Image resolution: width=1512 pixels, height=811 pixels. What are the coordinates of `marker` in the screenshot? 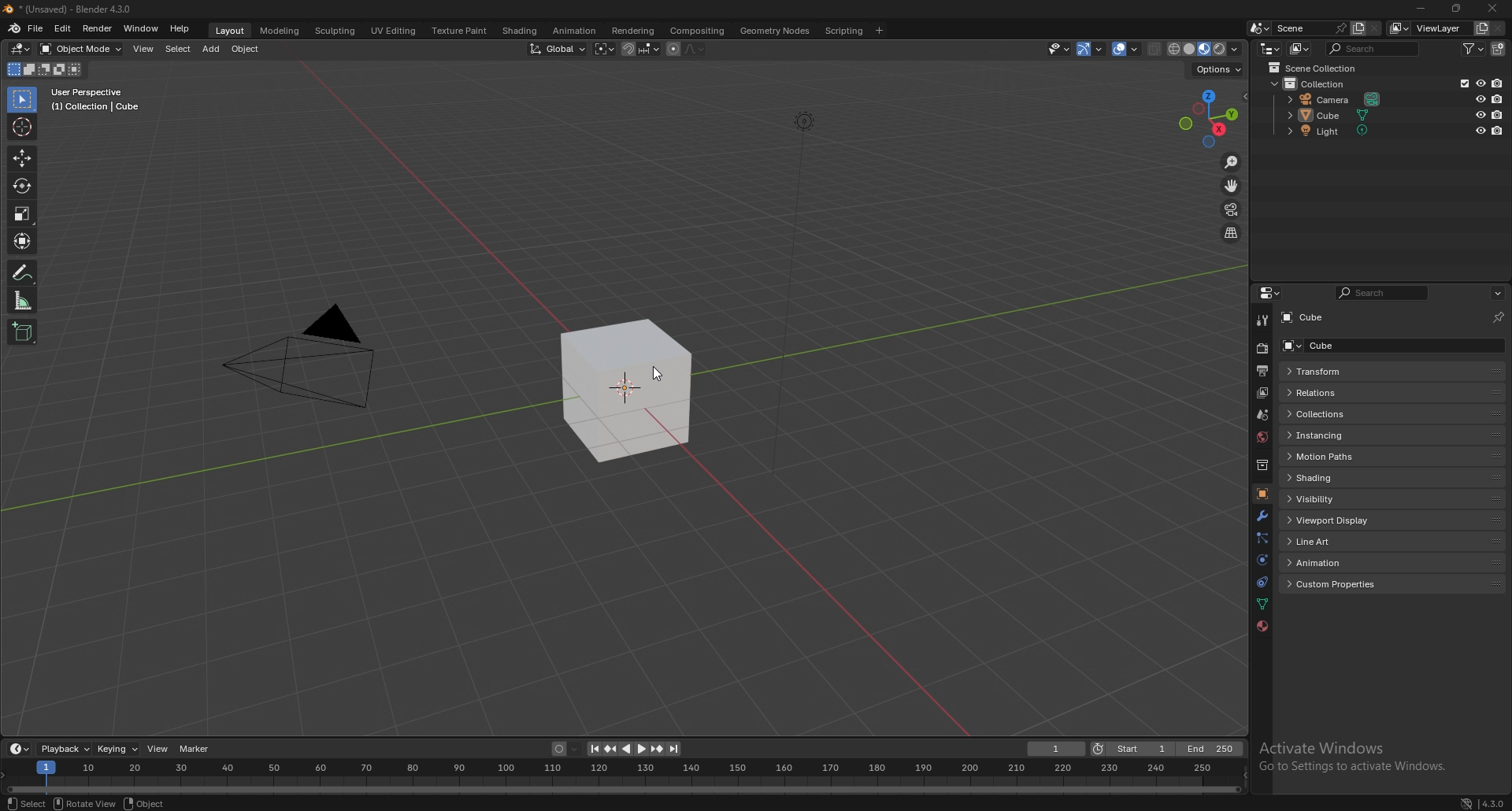 It's located at (196, 750).